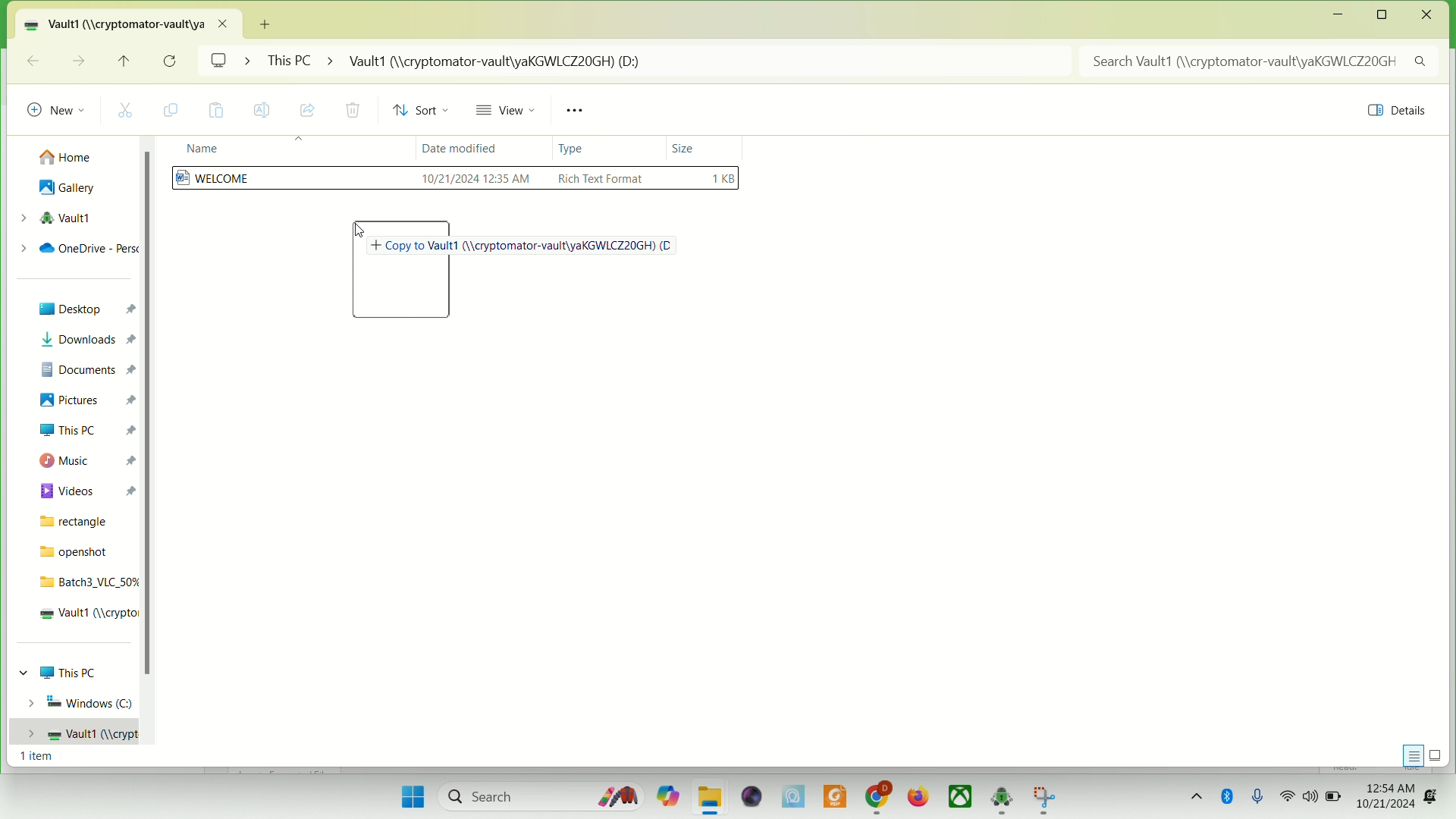  What do you see at coordinates (84, 615) in the screenshot?
I see `vault1` at bounding box center [84, 615].